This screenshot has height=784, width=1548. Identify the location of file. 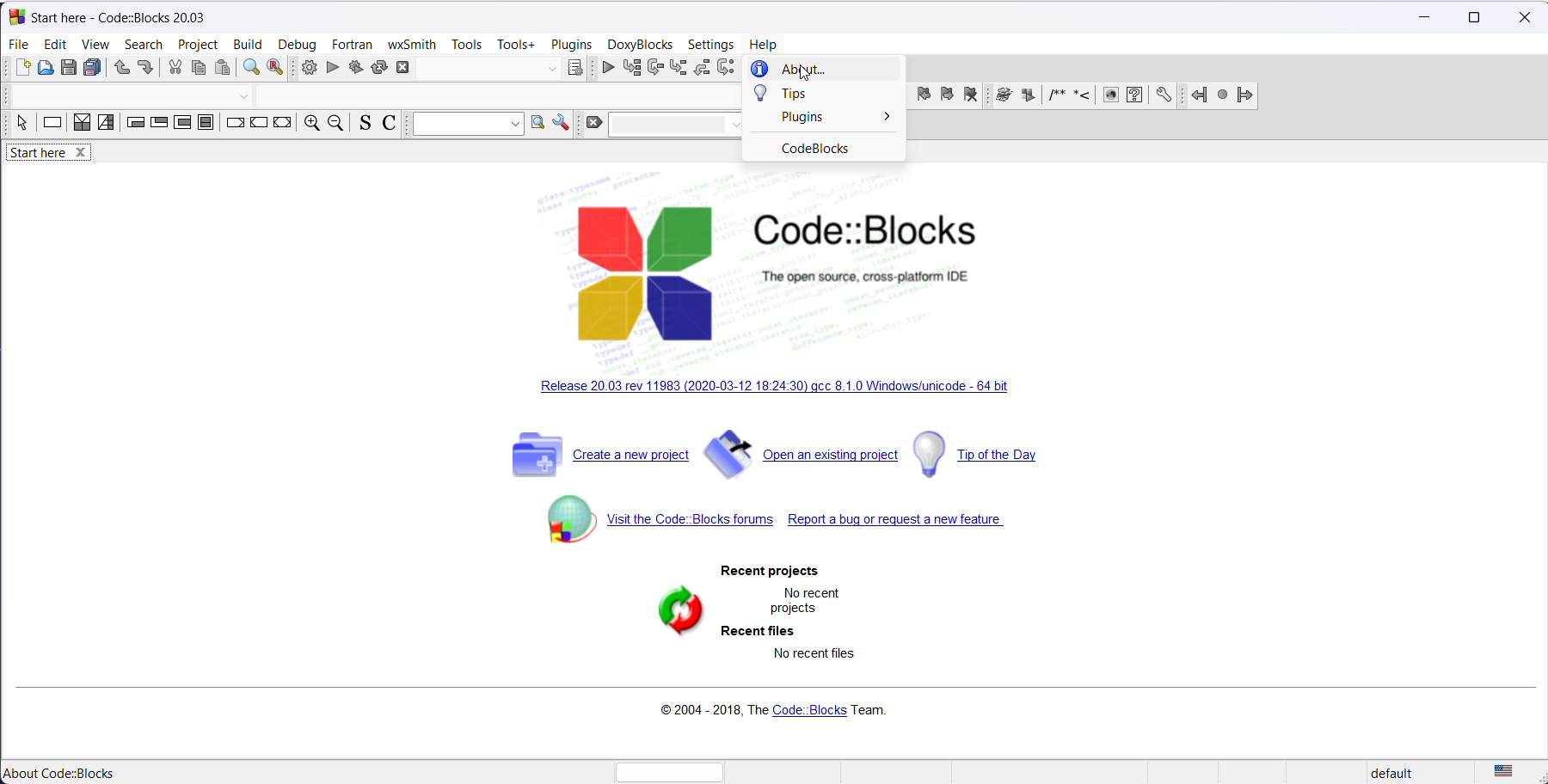
(20, 44).